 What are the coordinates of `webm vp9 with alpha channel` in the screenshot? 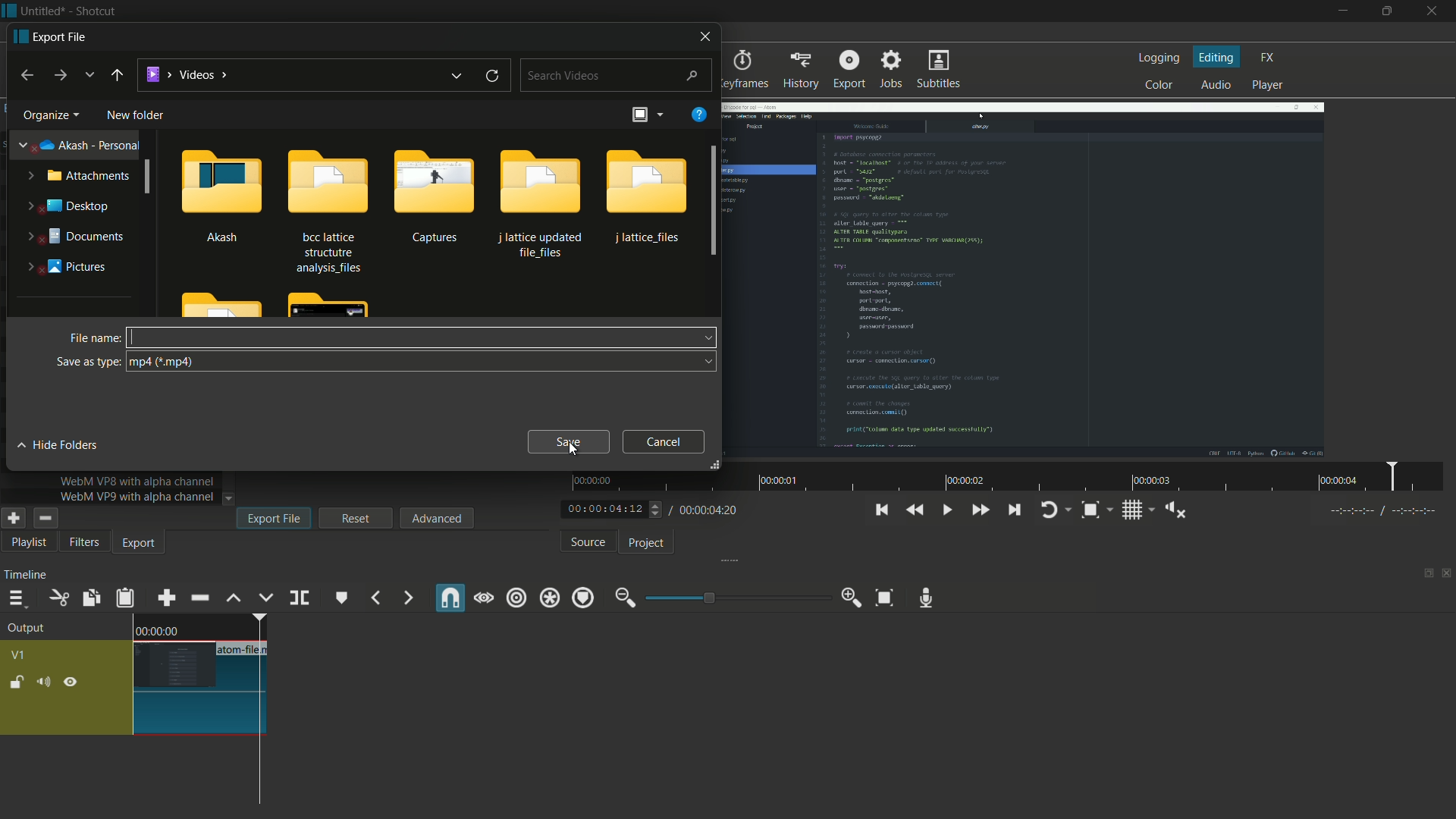 It's located at (137, 497).